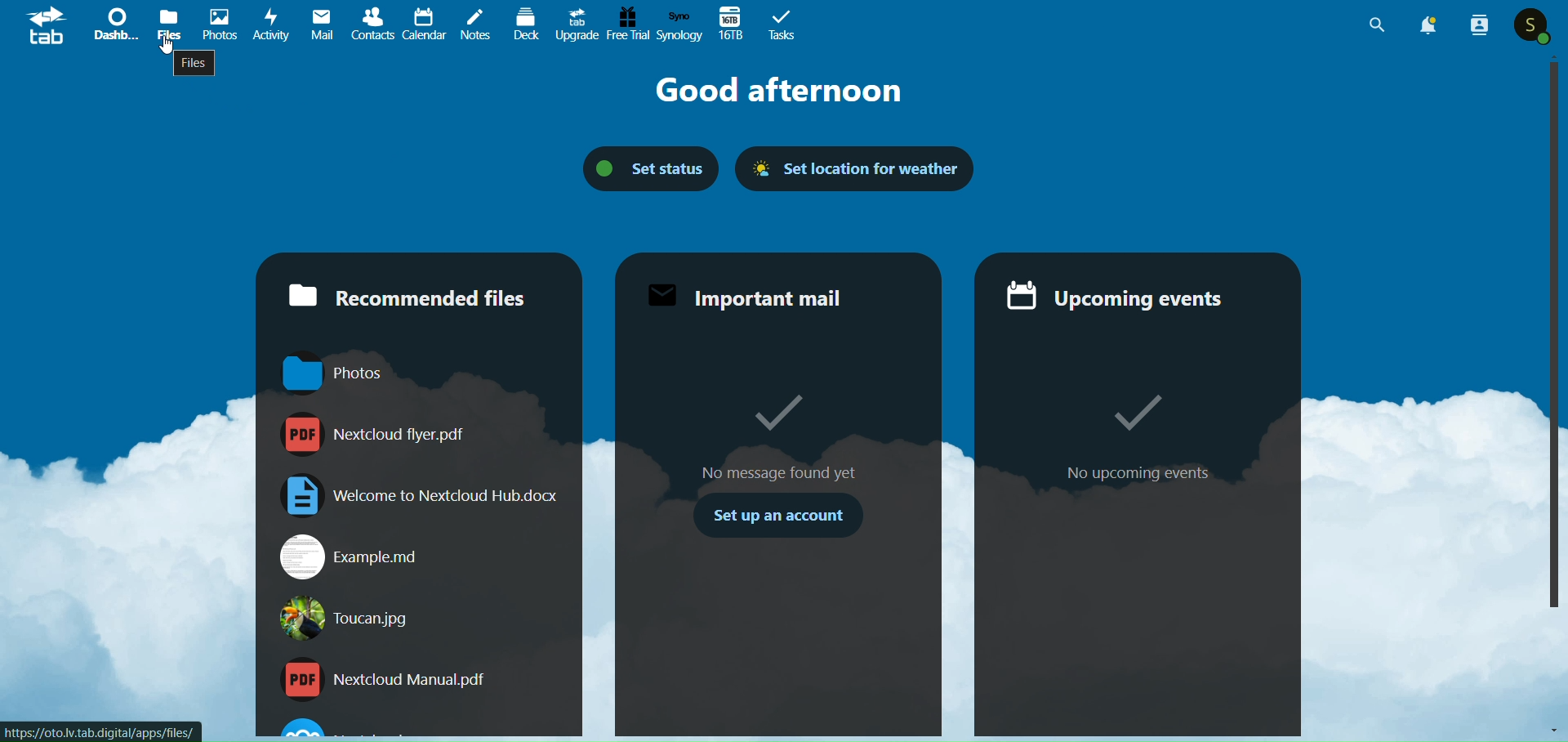  Describe the element at coordinates (420, 618) in the screenshot. I see `Toucan.jpg` at that location.